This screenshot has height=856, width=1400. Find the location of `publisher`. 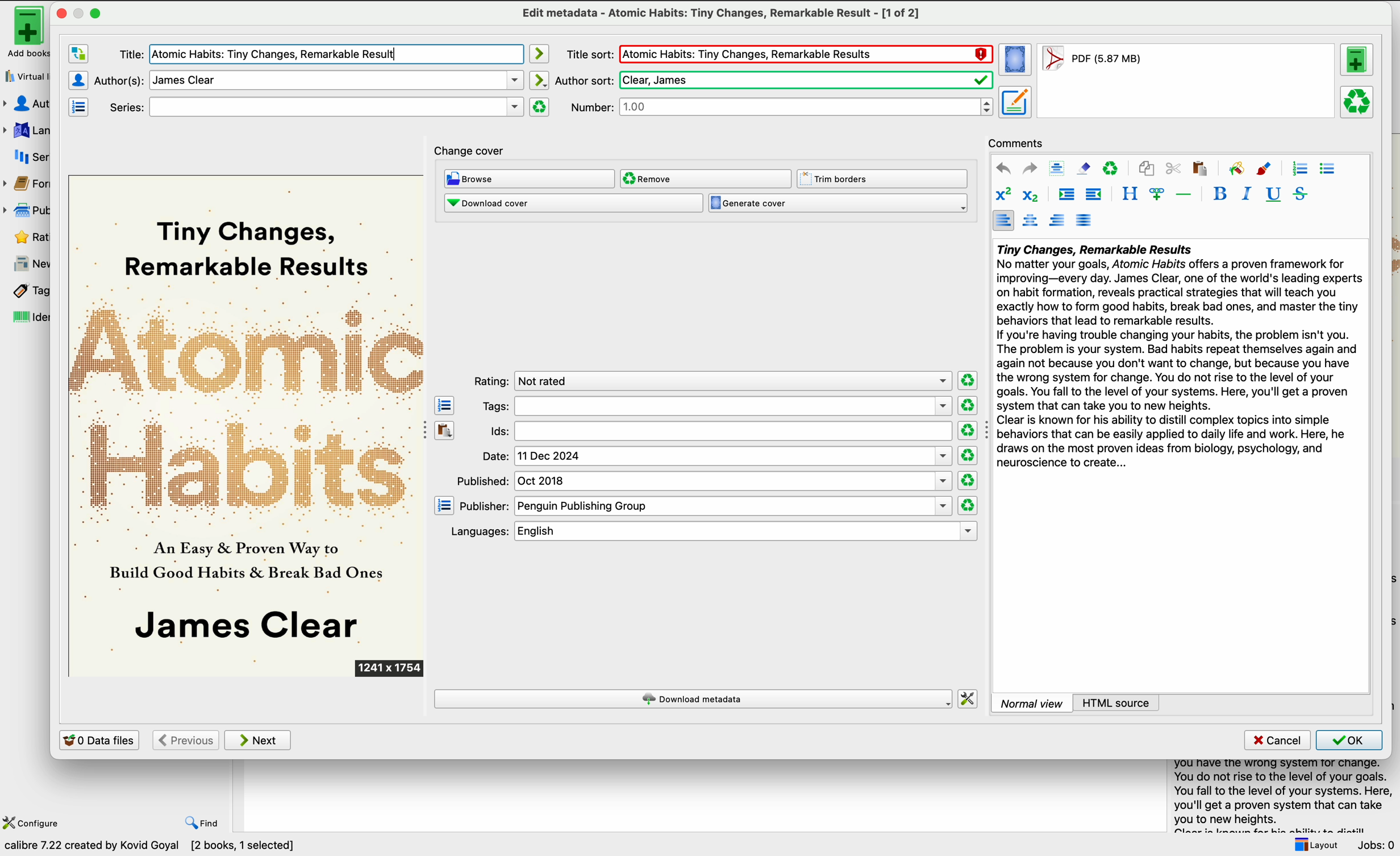

publisher is located at coordinates (29, 210).